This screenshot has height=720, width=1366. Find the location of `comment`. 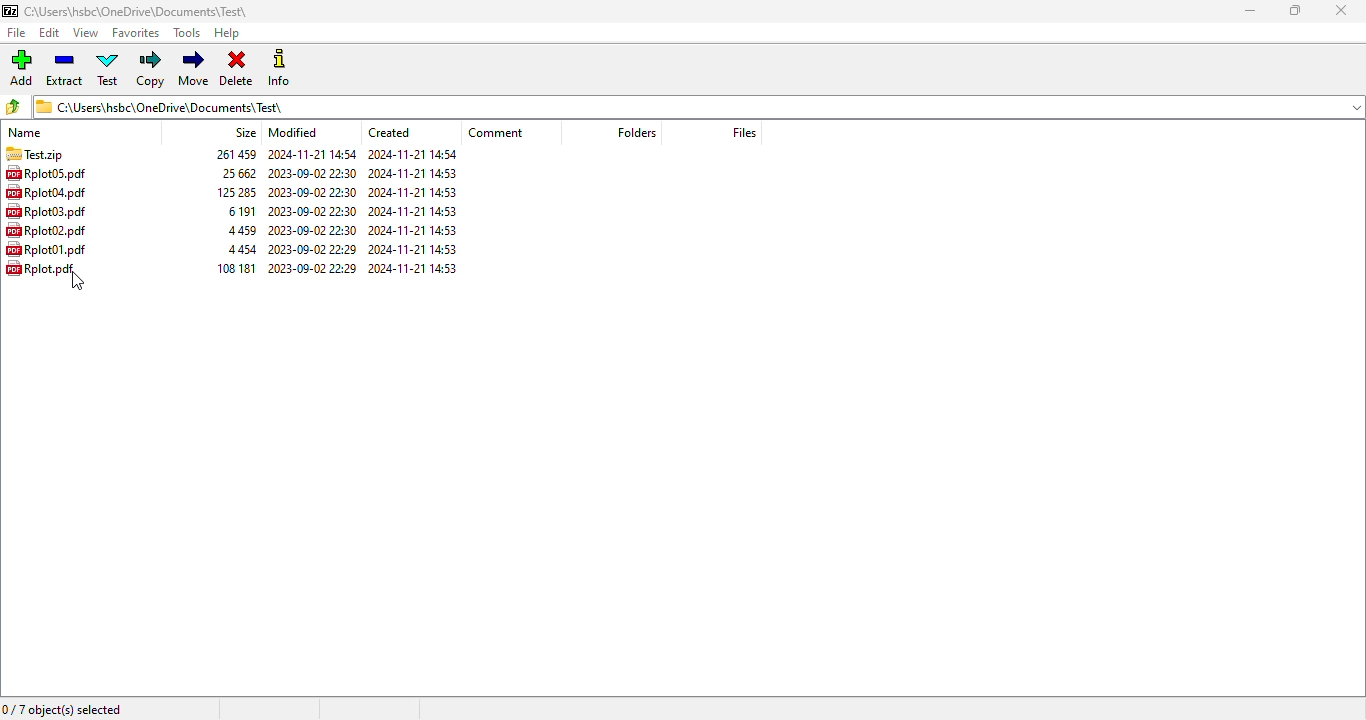

comment is located at coordinates (494, 133).